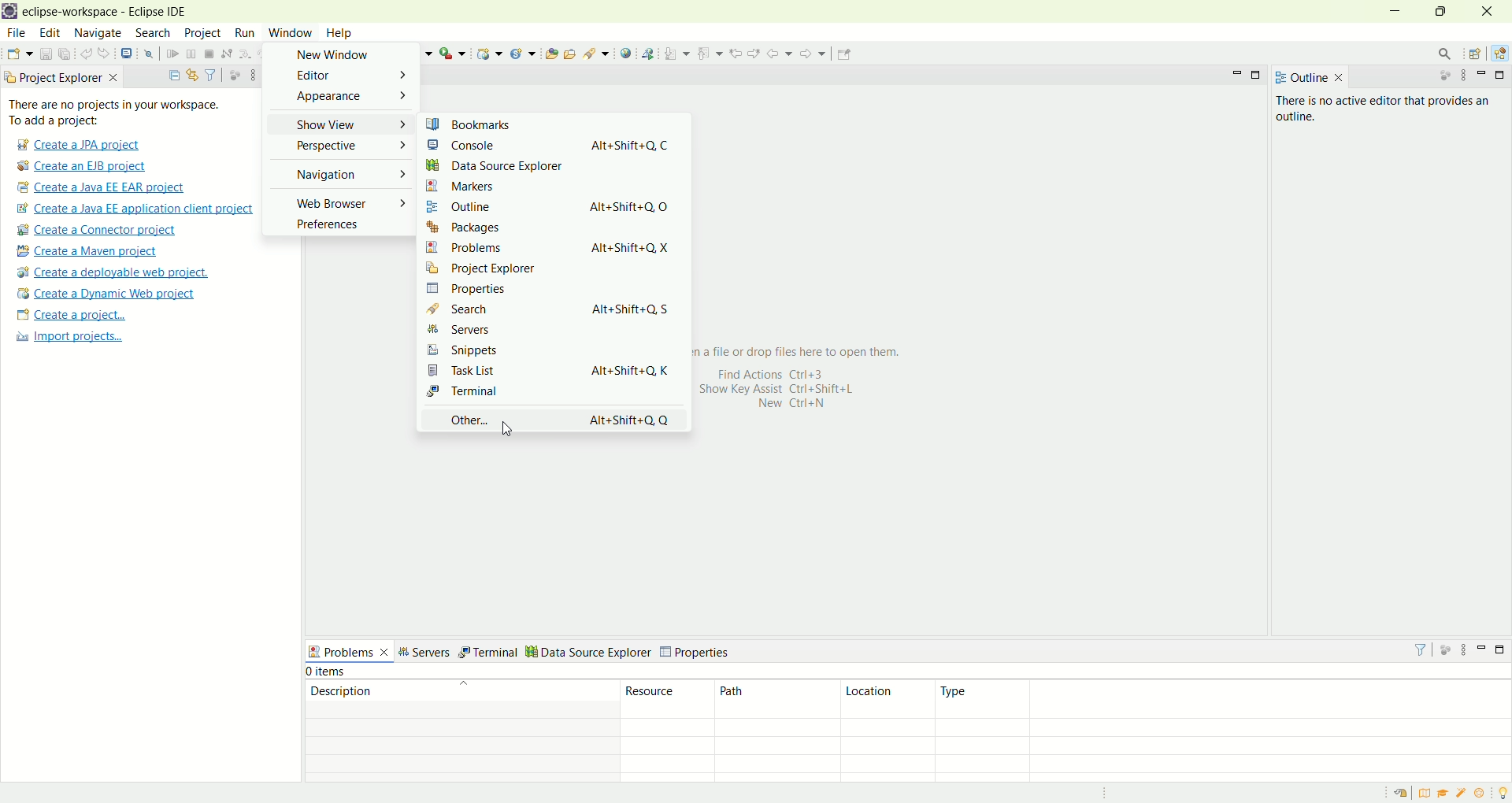 The width and height of the screenshot is (1512, 803). I want to click on There are no projects in your workspace. To add a project:, so click(133, 113).